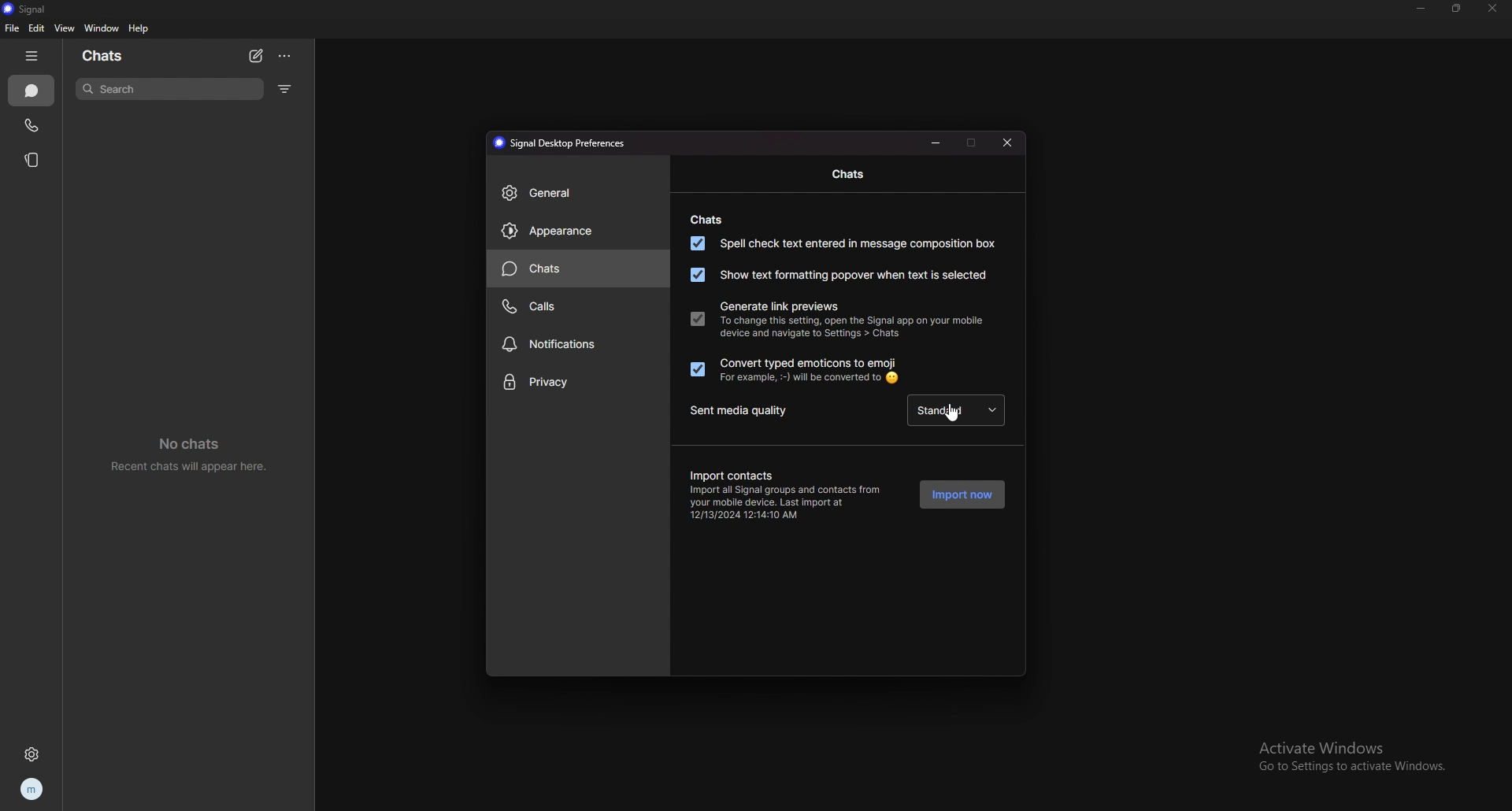 Image resolution: width=1512 pixels, height=811 pixels. I want to click on standard, so click(961, 409).